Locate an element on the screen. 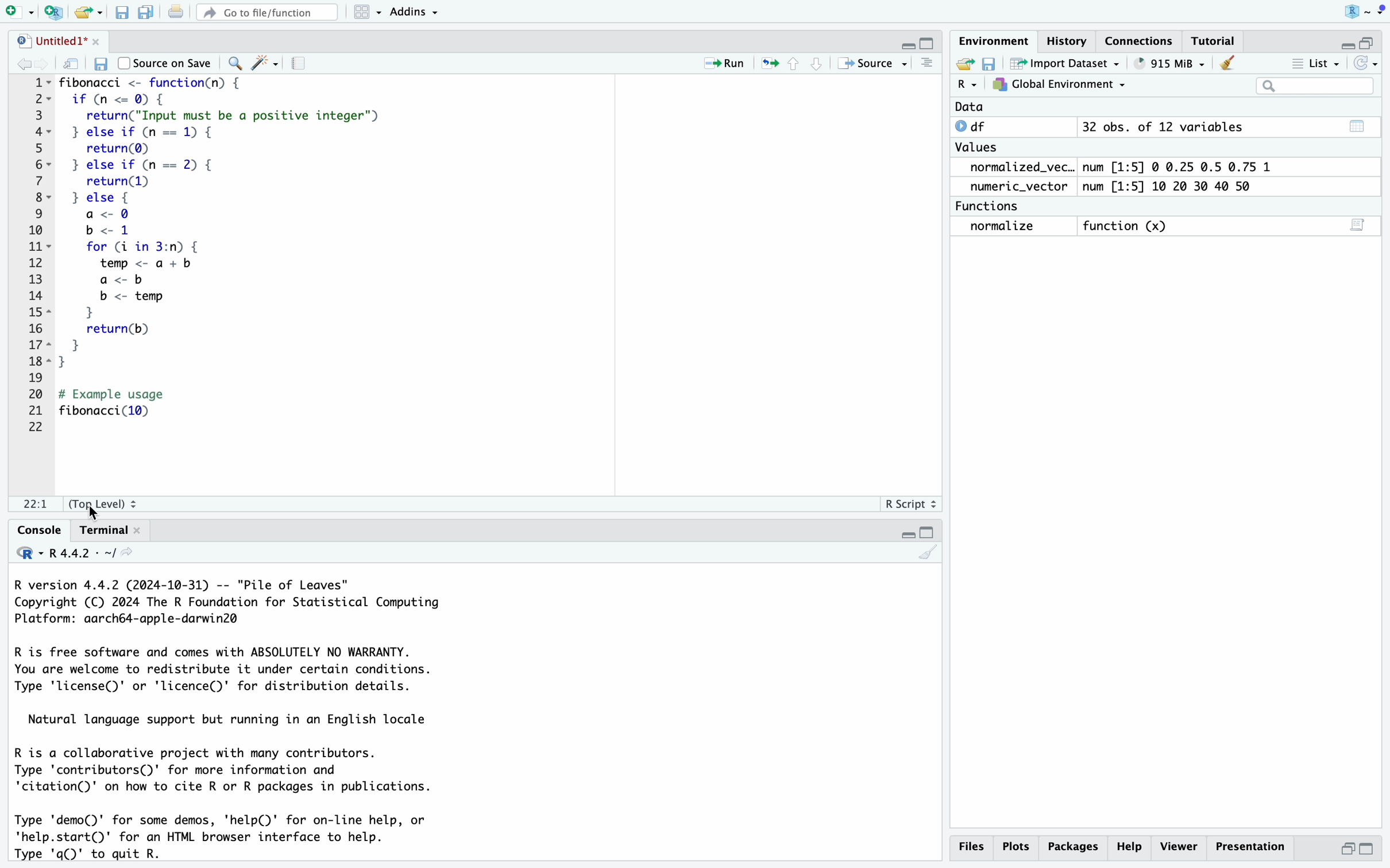 The height and width of the screenshot is (868, 1390). go to previous chunk/section is located at coordinates (794, 66).